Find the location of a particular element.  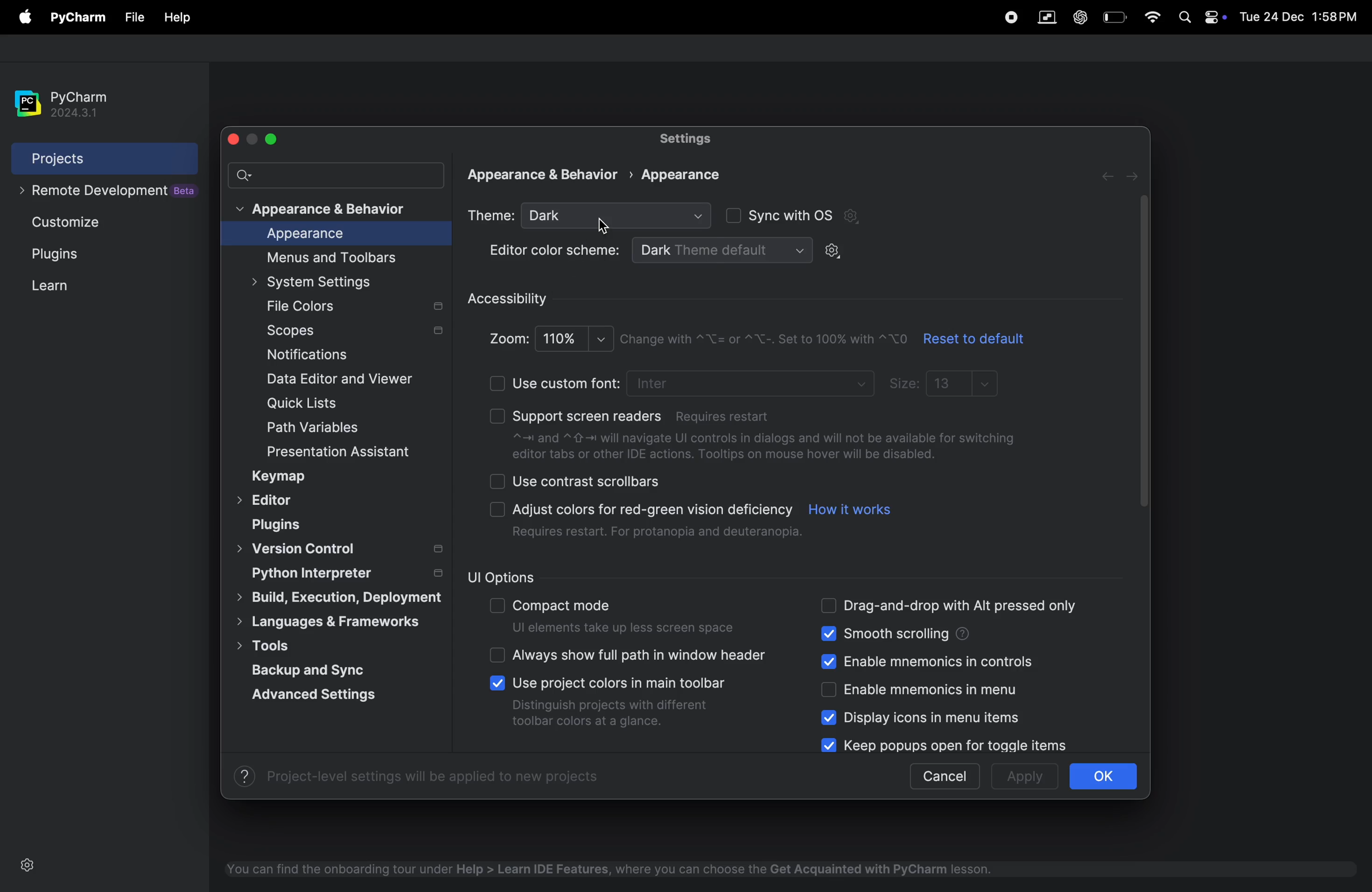

py charm is located at coordinates (78, 16).